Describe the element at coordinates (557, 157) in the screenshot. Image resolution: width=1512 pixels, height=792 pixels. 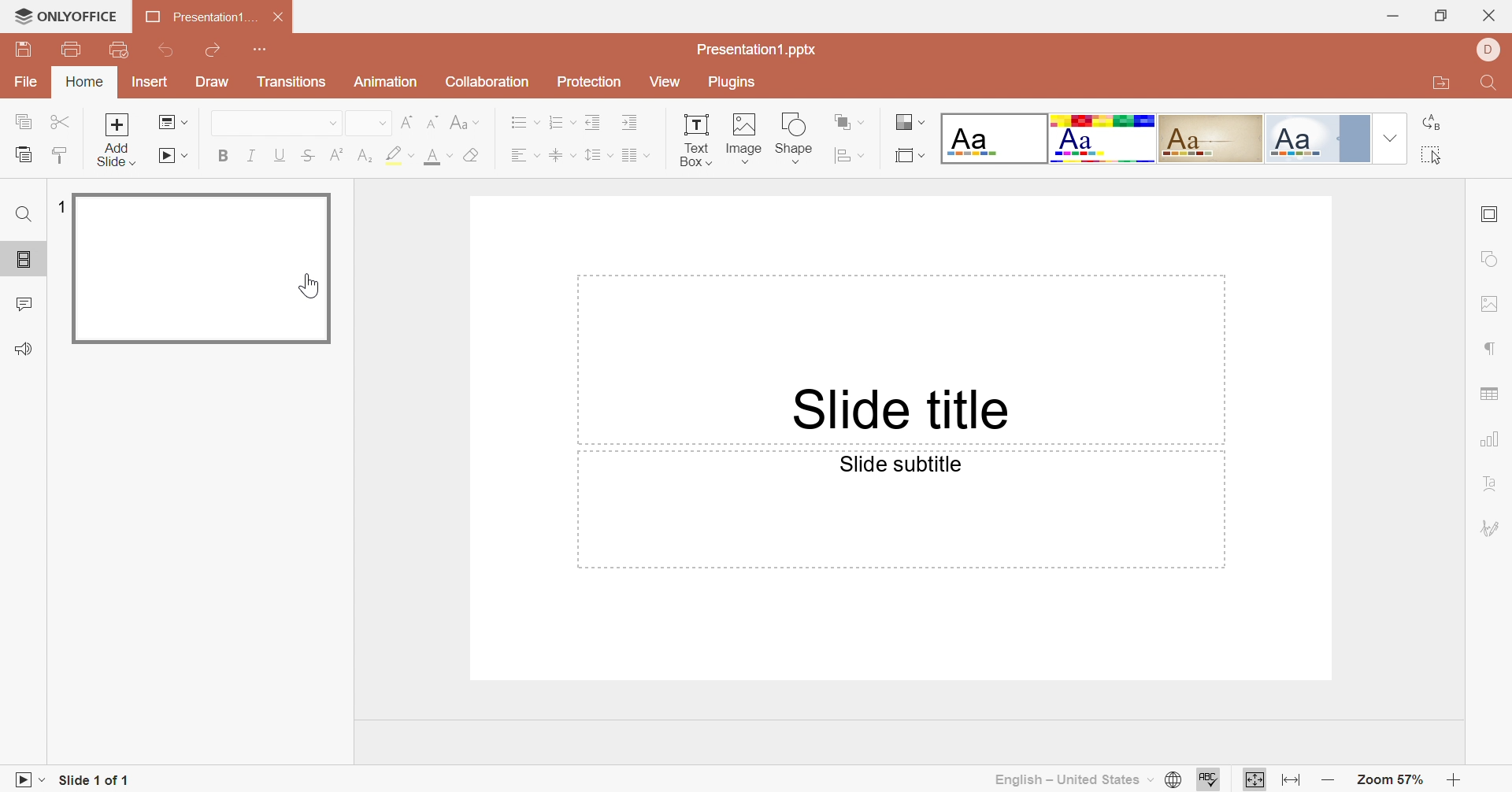
I see `Align Text to Middle` at that location.